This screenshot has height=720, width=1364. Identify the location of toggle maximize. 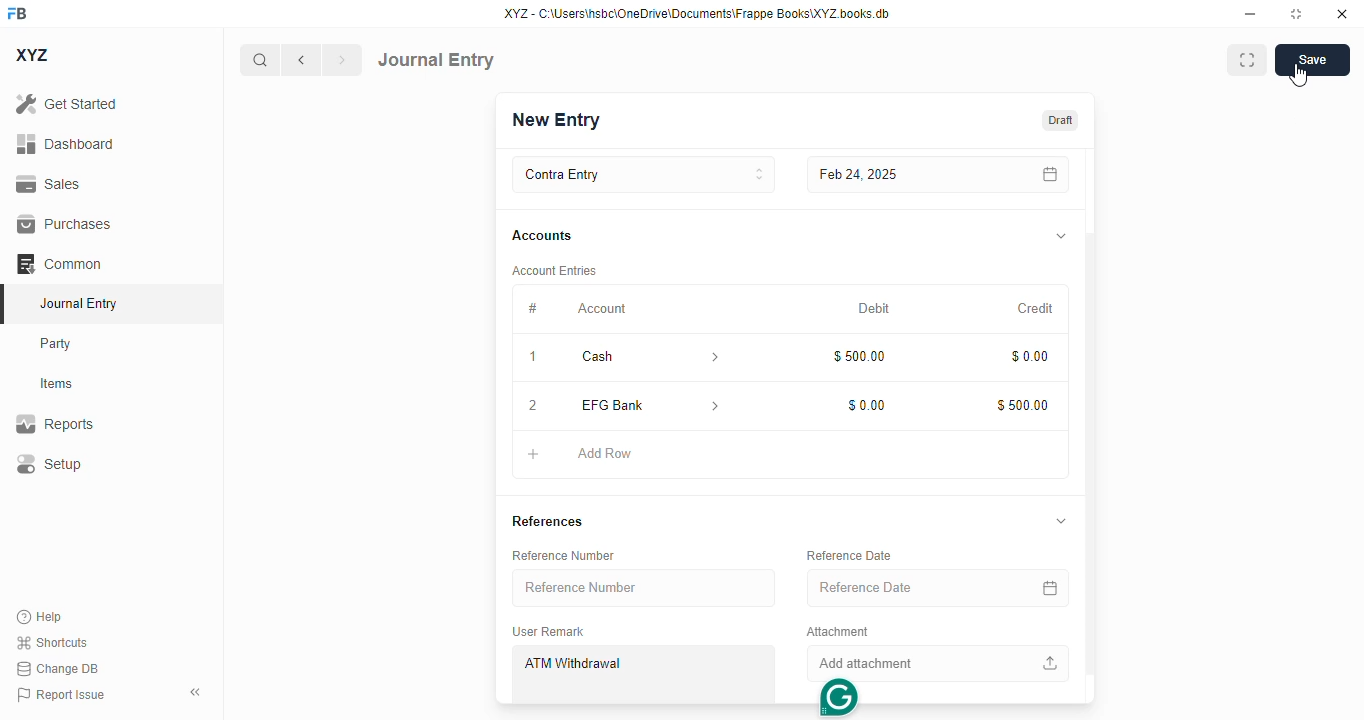
(1296, 14).